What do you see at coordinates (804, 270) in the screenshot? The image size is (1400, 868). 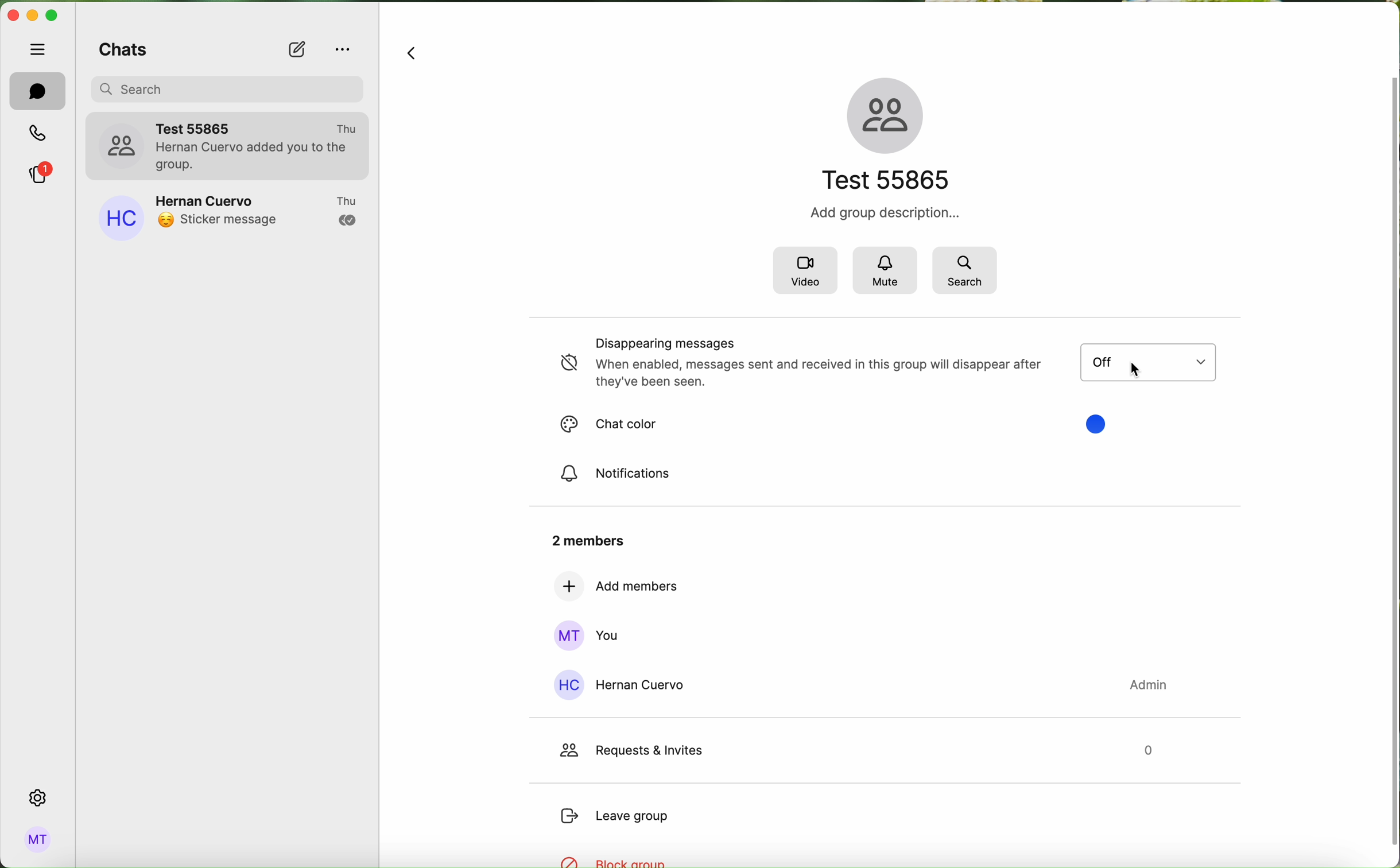 I see `video` at bounding box center [804, 270].